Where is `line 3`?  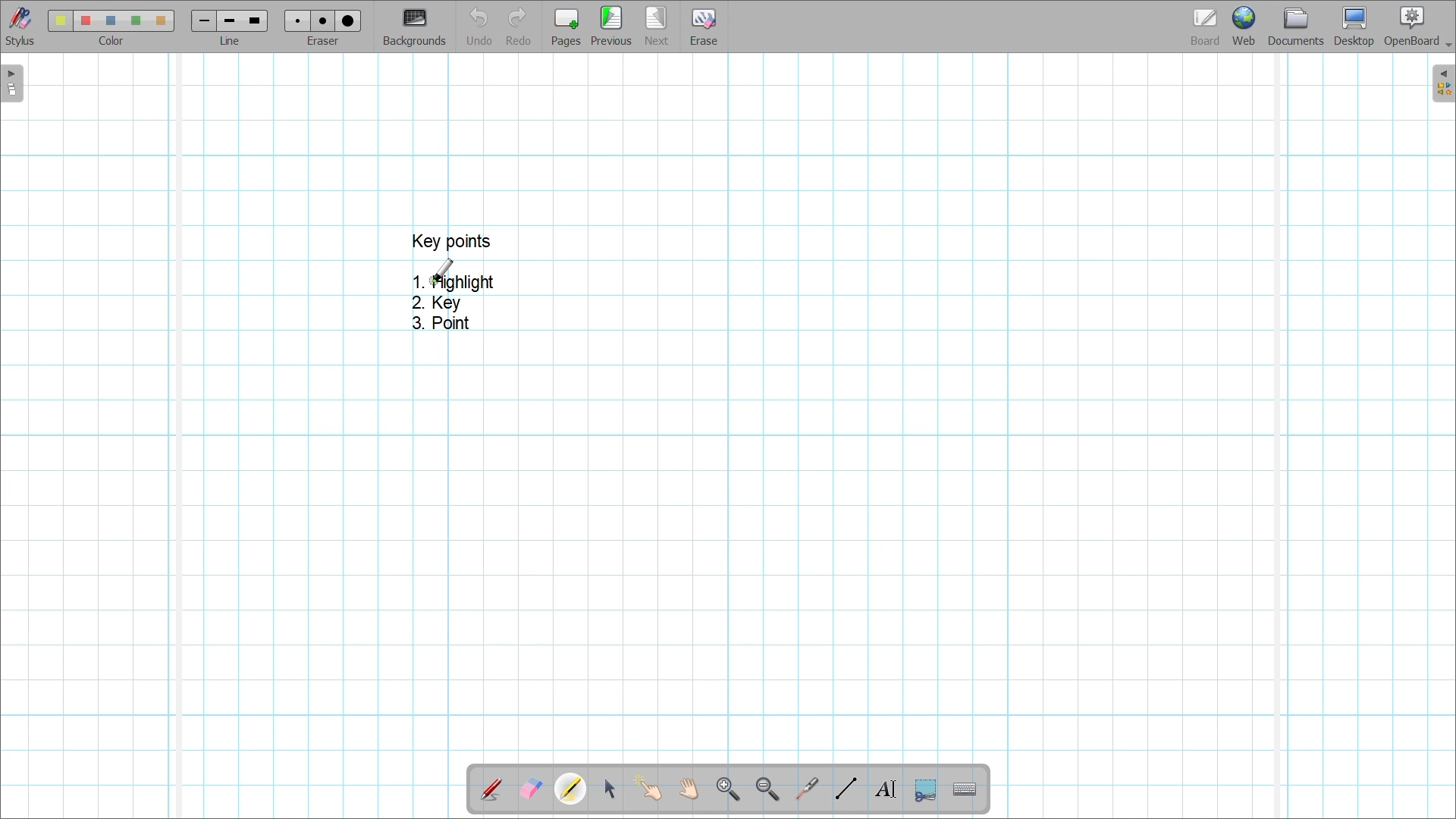 line 3 is located at coordinates (253, 20).